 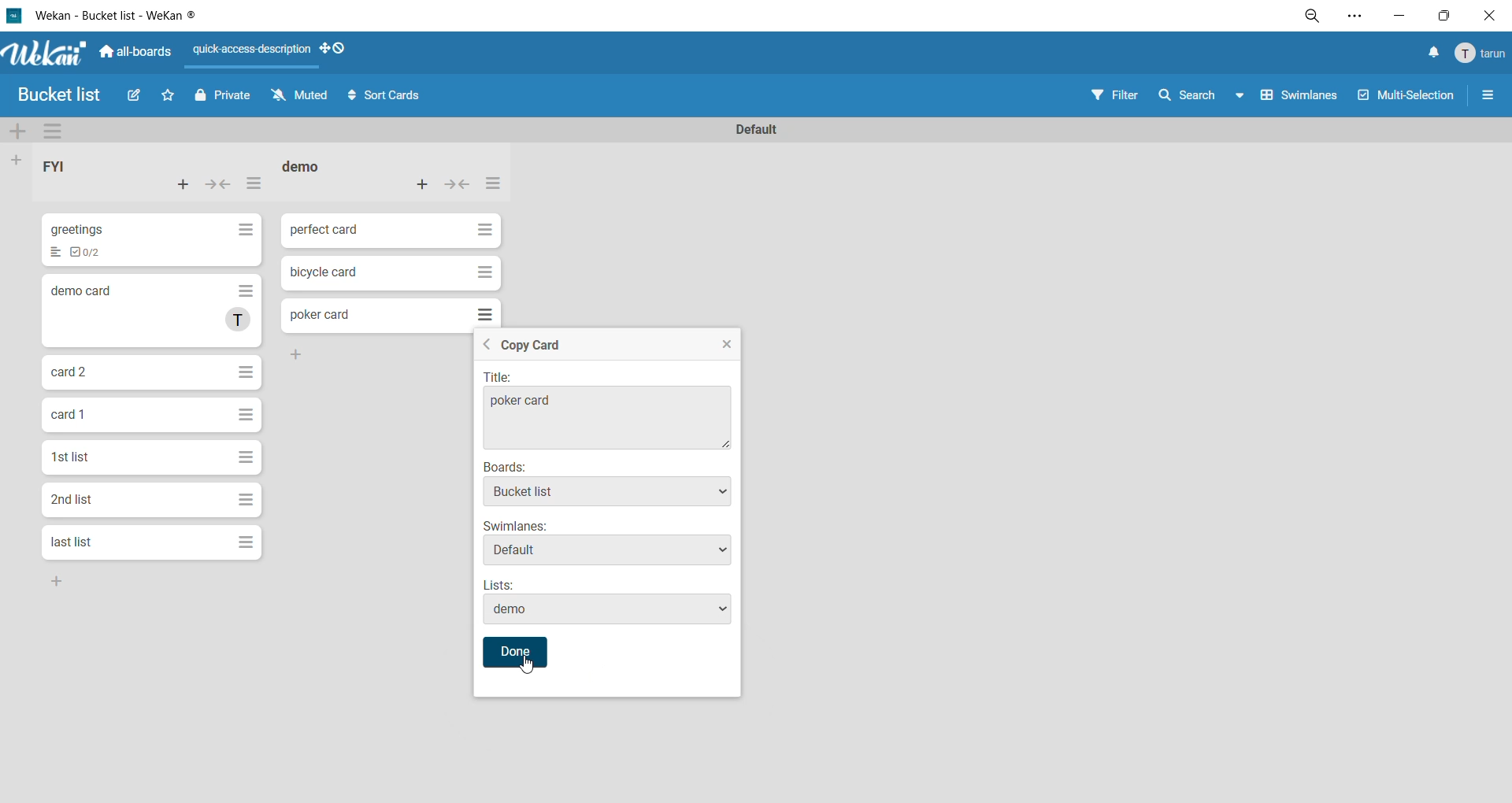 What do you see at coordinates (481, 272) in the screenshot?
I see `Hamburger` at bounding box center [481, 272].